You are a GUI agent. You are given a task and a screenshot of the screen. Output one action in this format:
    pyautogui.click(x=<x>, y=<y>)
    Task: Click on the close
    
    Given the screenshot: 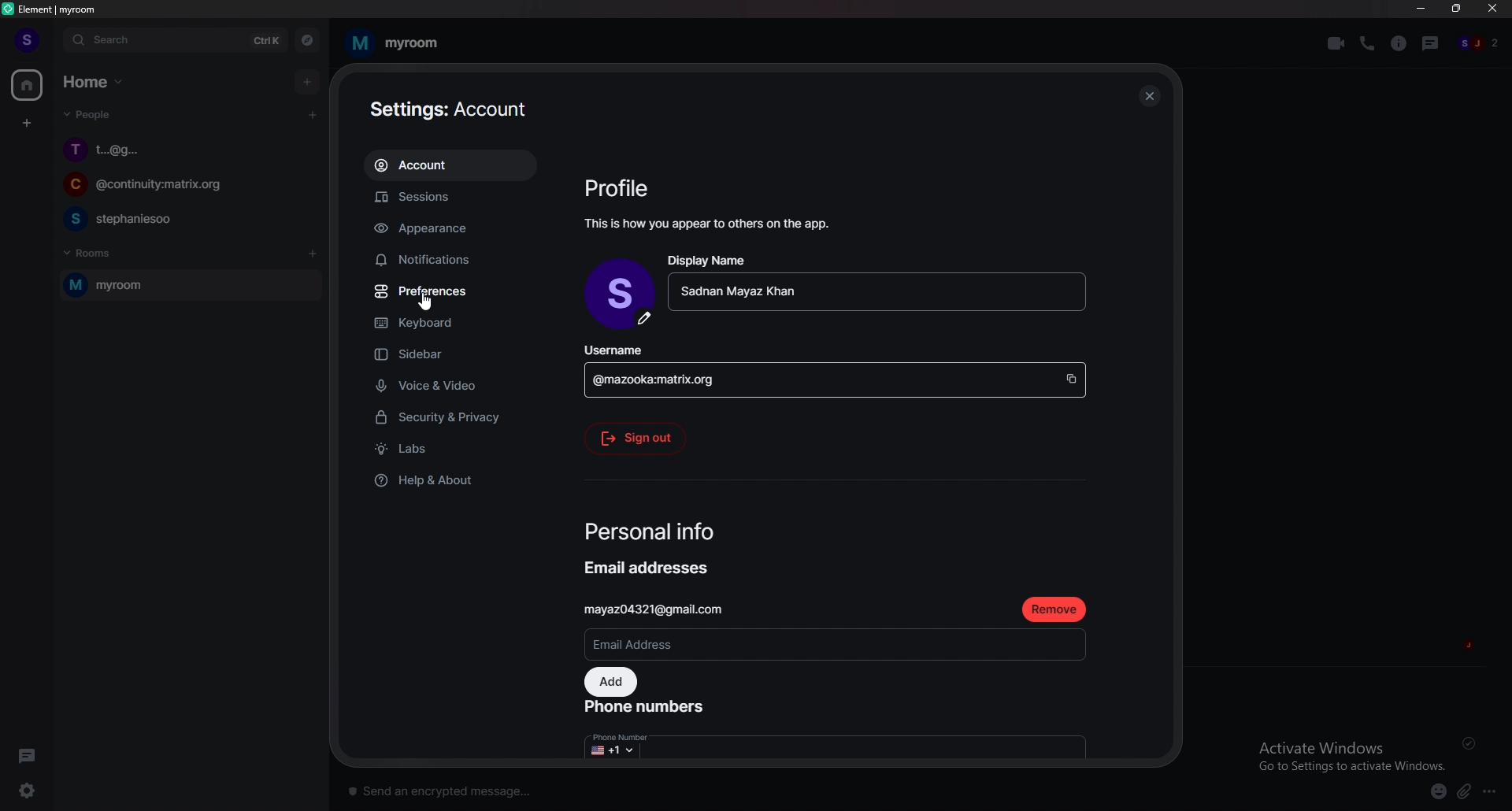 What is the action you would take?
    pyautogui.click(x=1493, y=12)
    